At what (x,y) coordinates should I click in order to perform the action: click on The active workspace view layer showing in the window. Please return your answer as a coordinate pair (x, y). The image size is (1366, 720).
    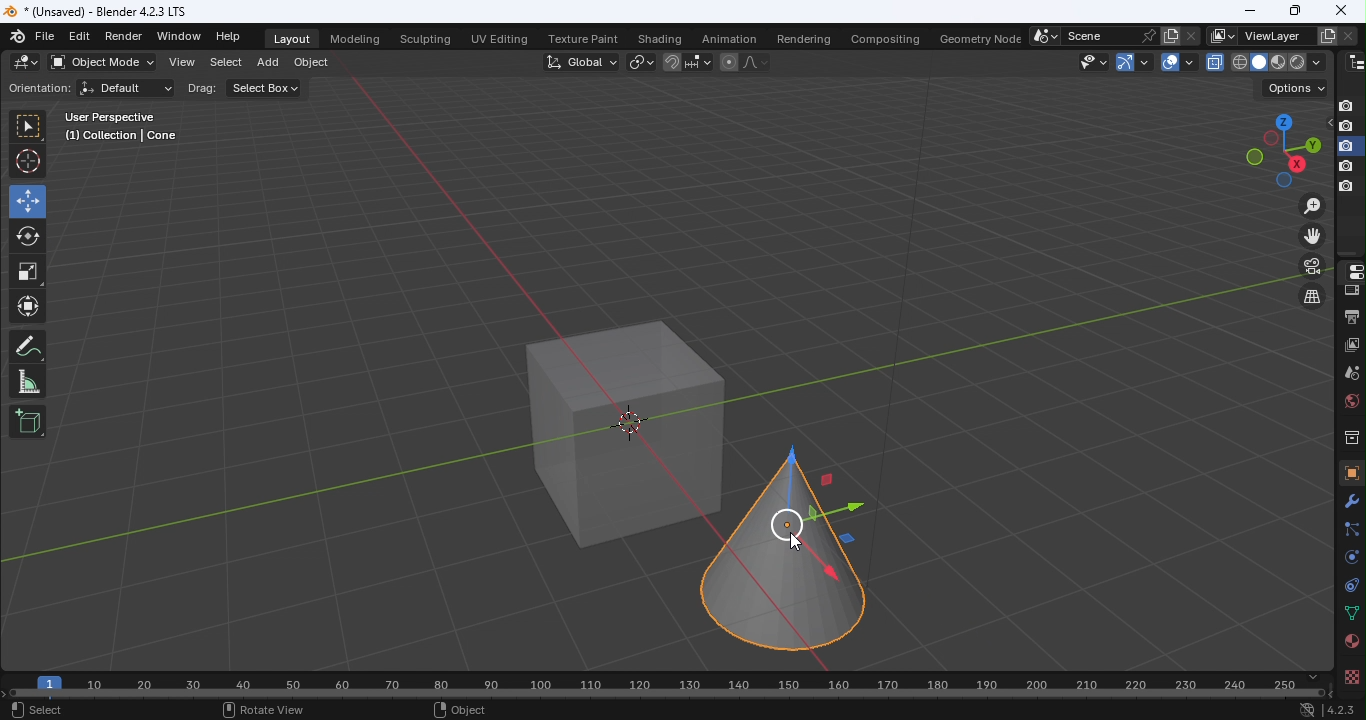
    Looking at the image, I should click on (1222, 36).